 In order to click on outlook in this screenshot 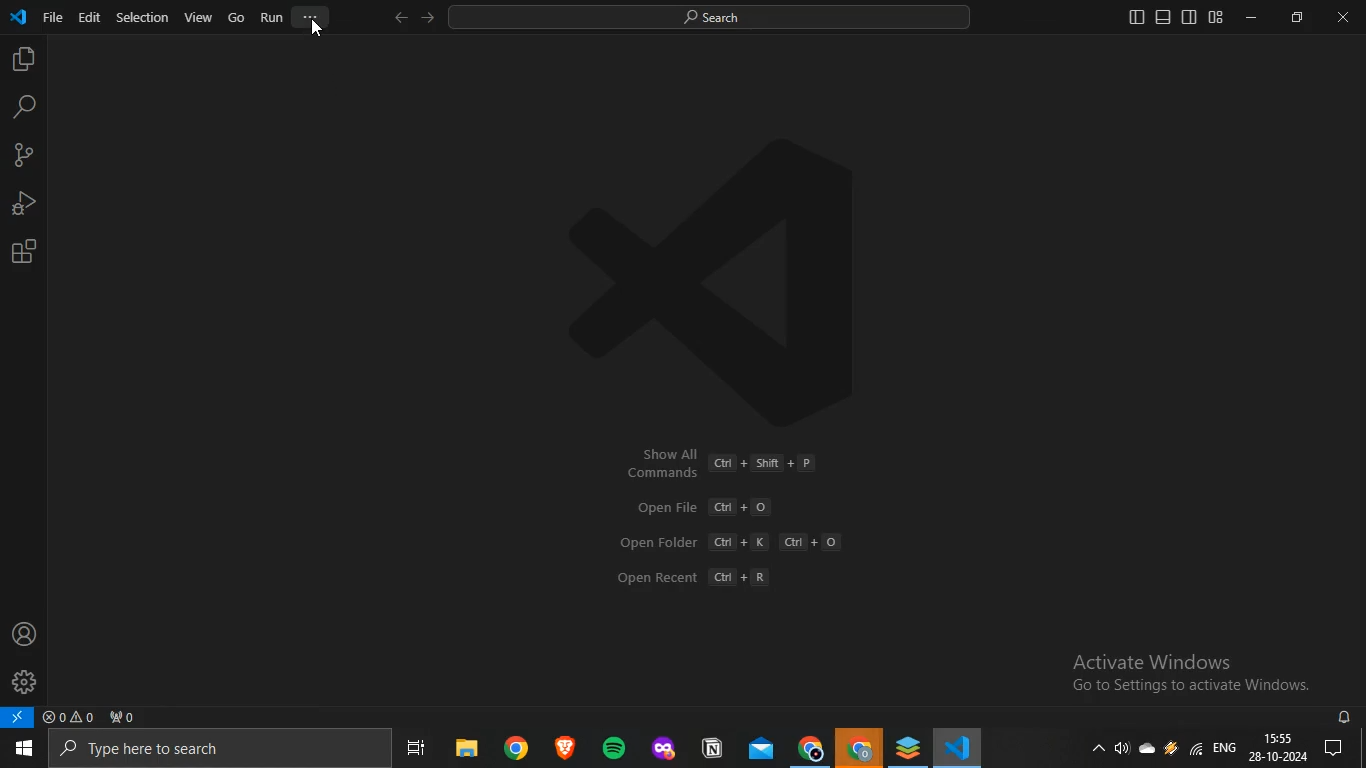, I will do `click(757, 750)`.